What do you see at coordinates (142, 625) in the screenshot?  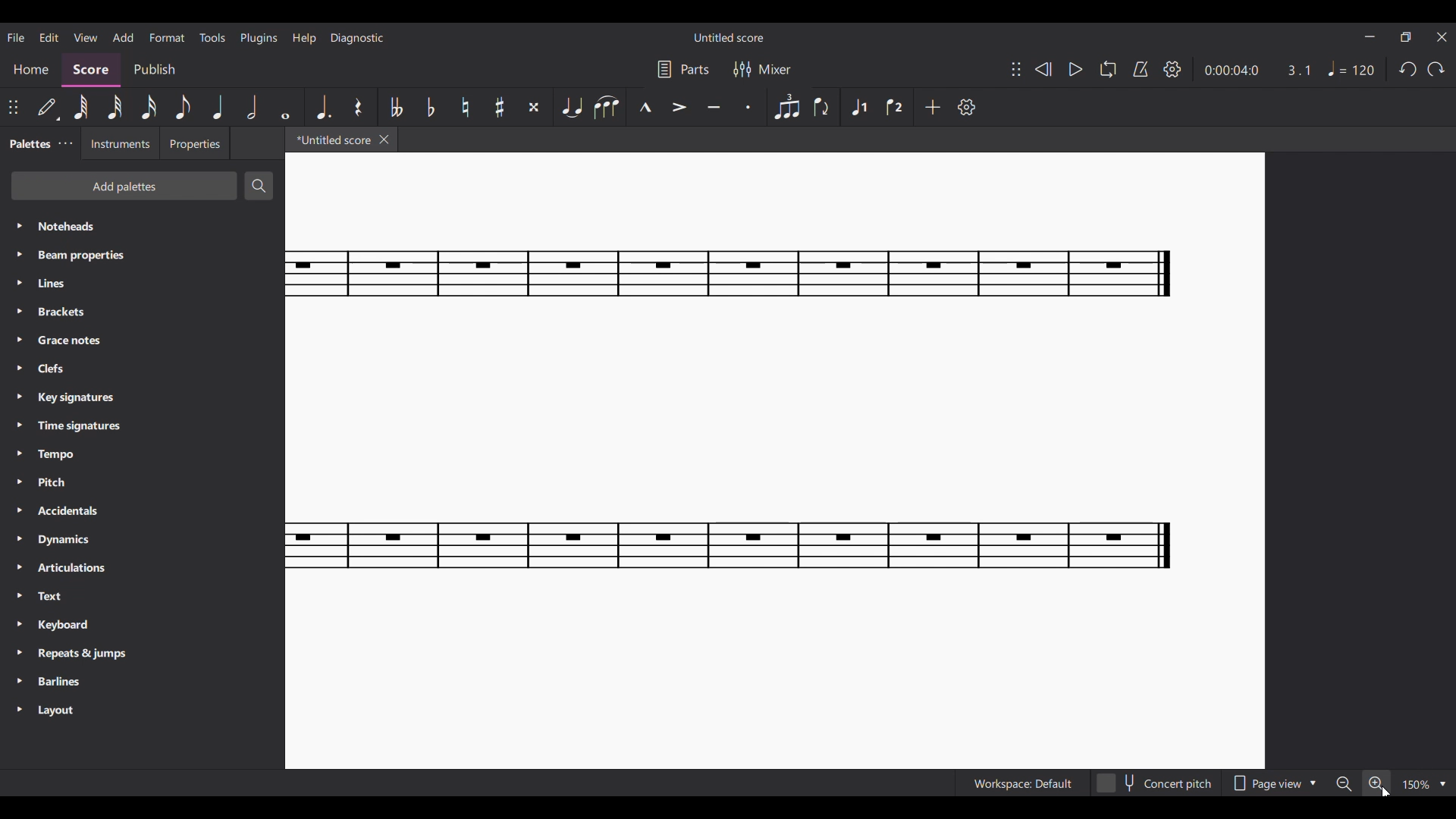 I see `Keyboard` at bounding box center [142, 625].